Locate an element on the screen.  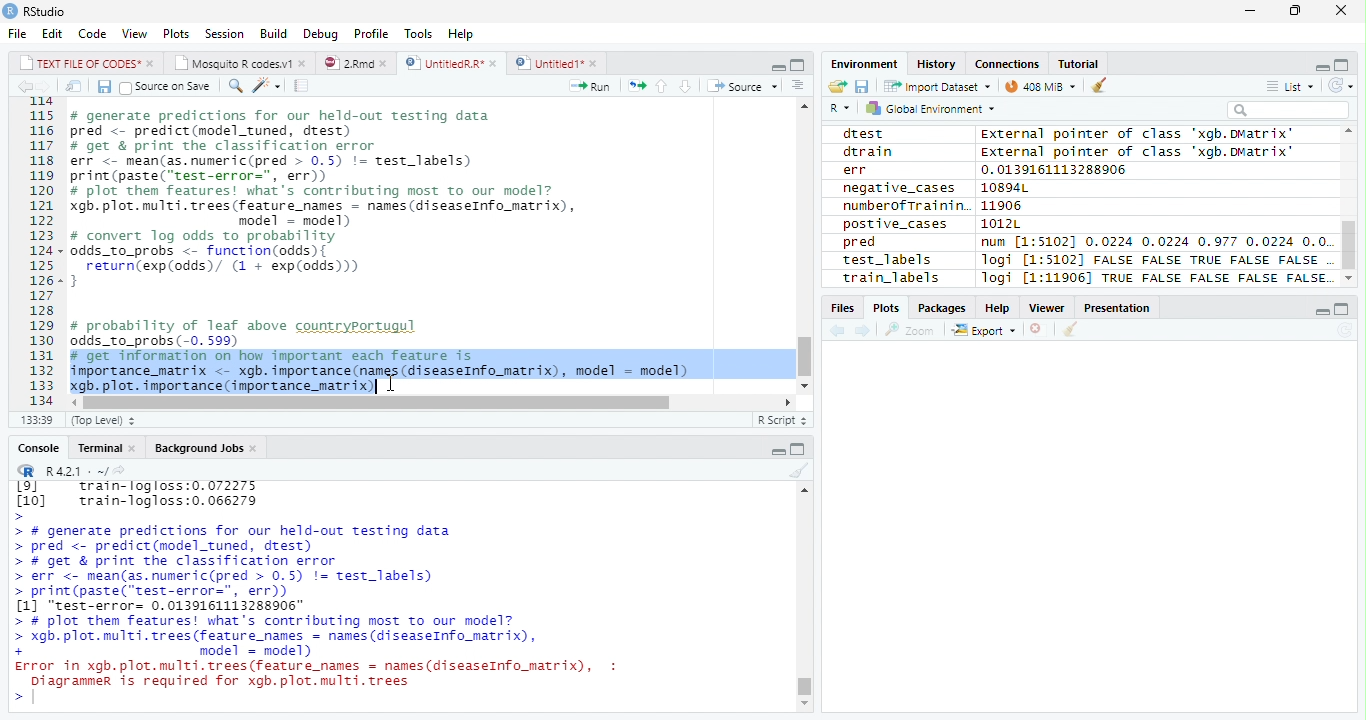
train_labels is located at coordinates (889, 279).